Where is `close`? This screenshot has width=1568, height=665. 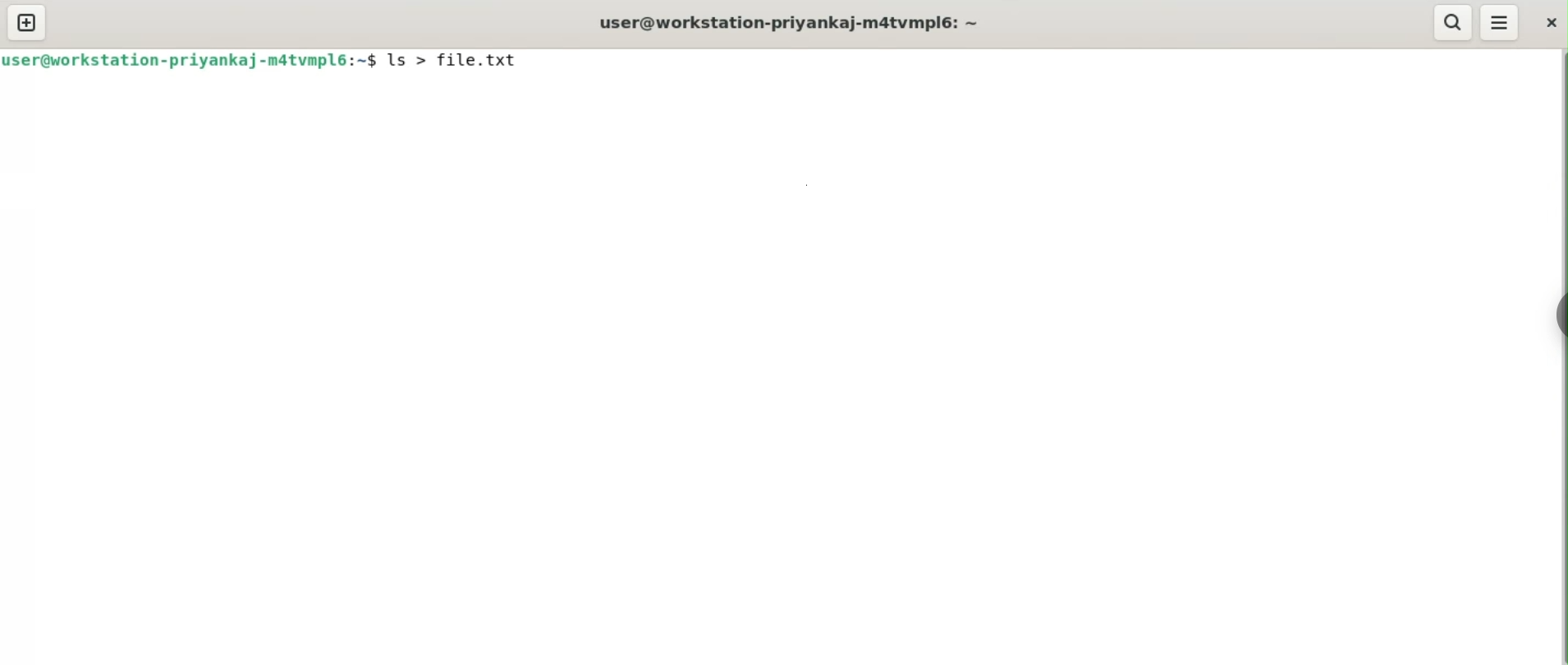
close is located at coordinates (1551, 21).